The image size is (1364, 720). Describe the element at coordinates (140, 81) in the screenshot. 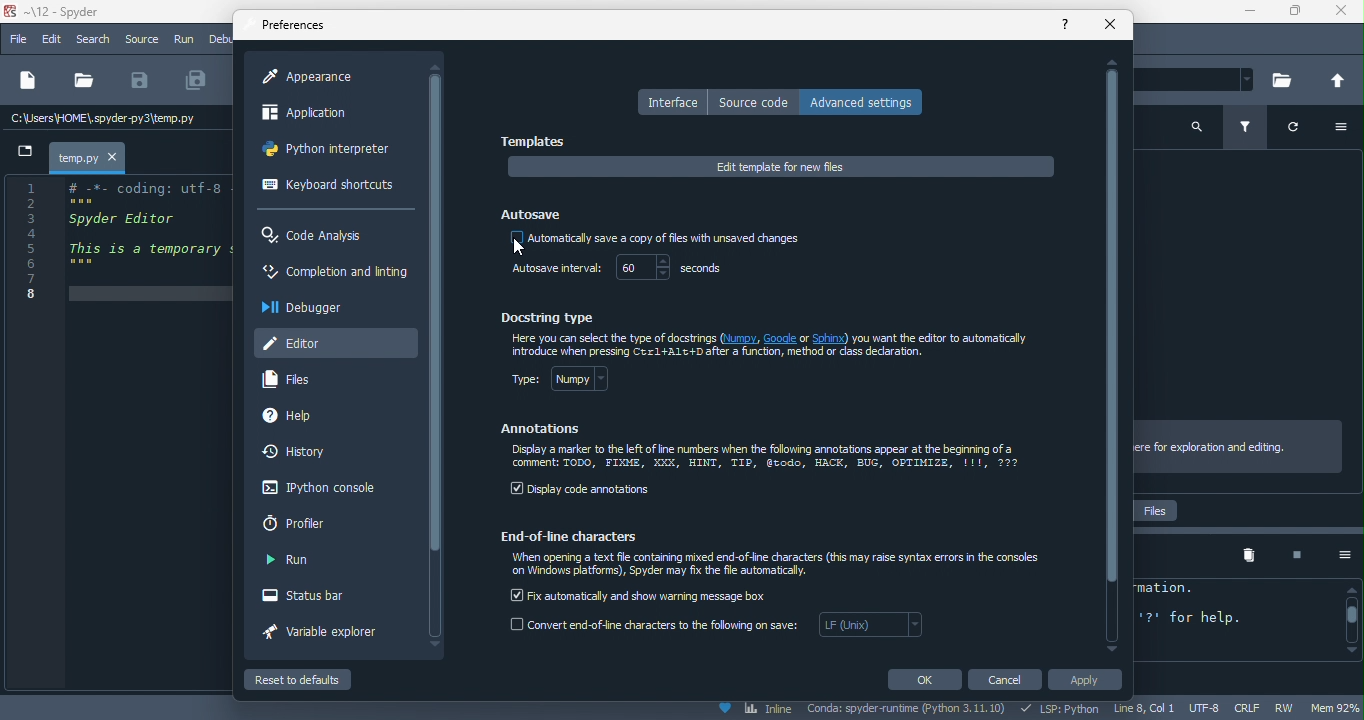

I see `save` at that location.